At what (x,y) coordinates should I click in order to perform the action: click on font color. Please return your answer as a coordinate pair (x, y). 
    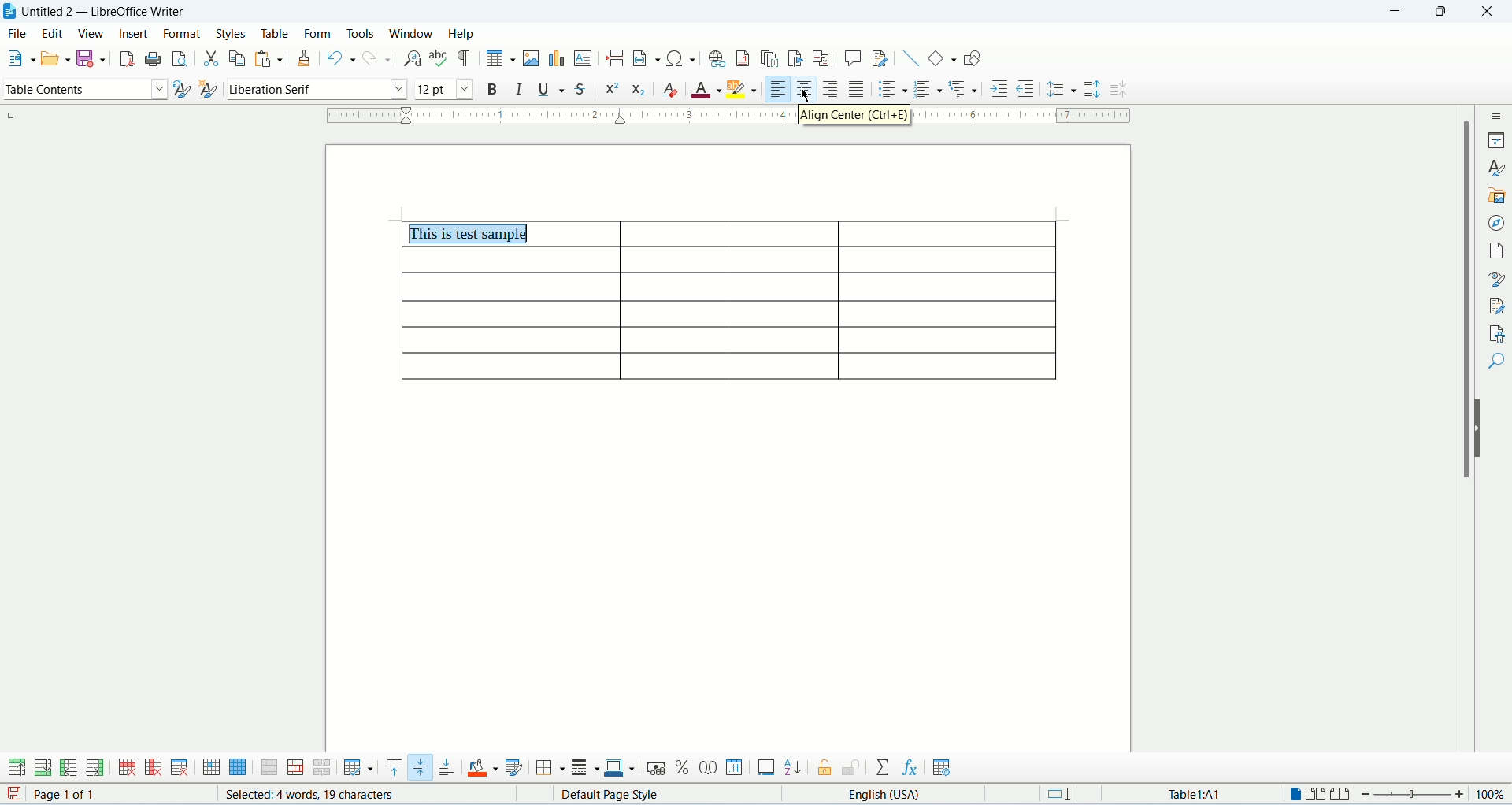
    Looking at the image, I should click on (705, 87).